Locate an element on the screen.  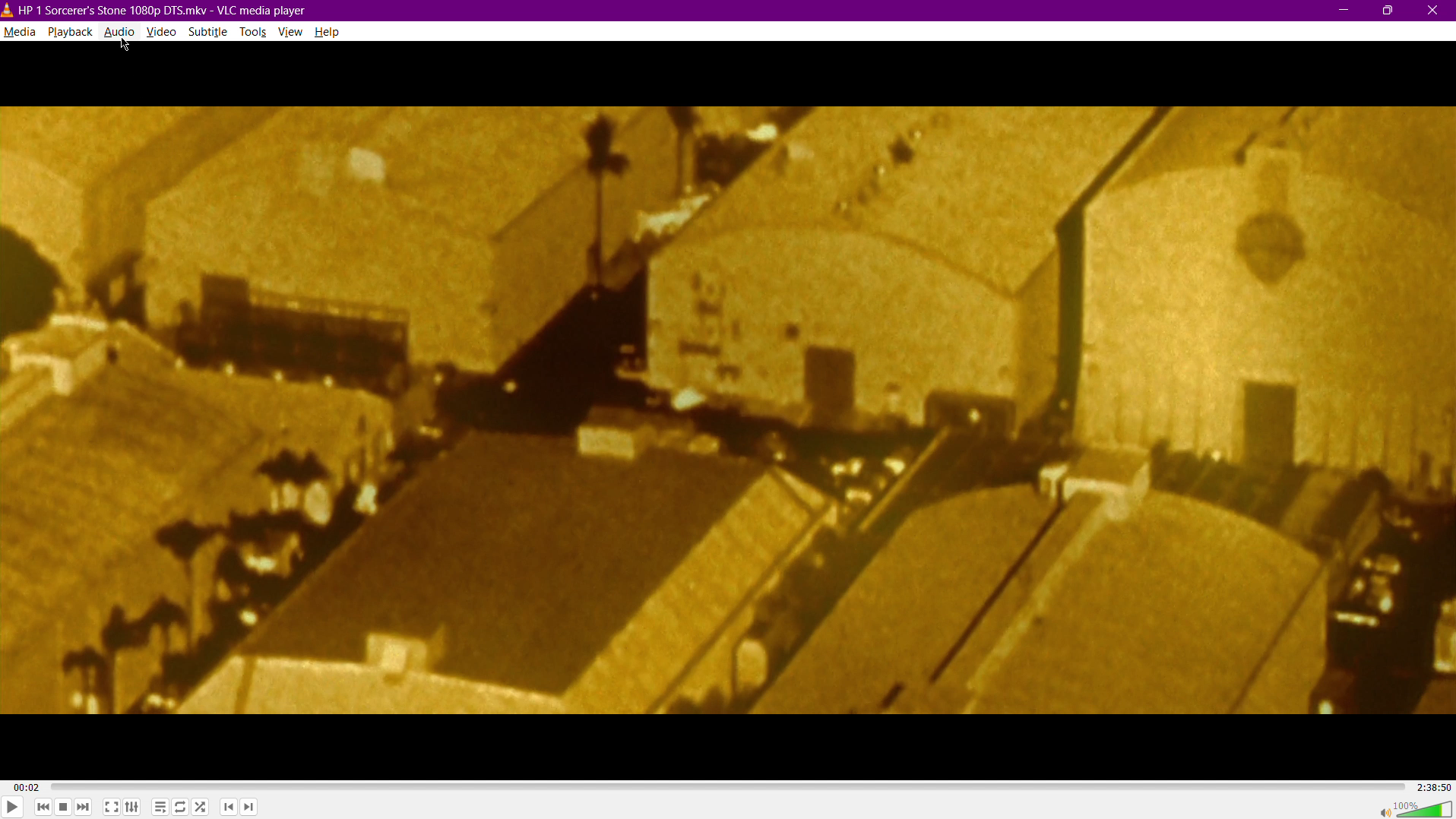
Stop is located at coordinates (63, 808).